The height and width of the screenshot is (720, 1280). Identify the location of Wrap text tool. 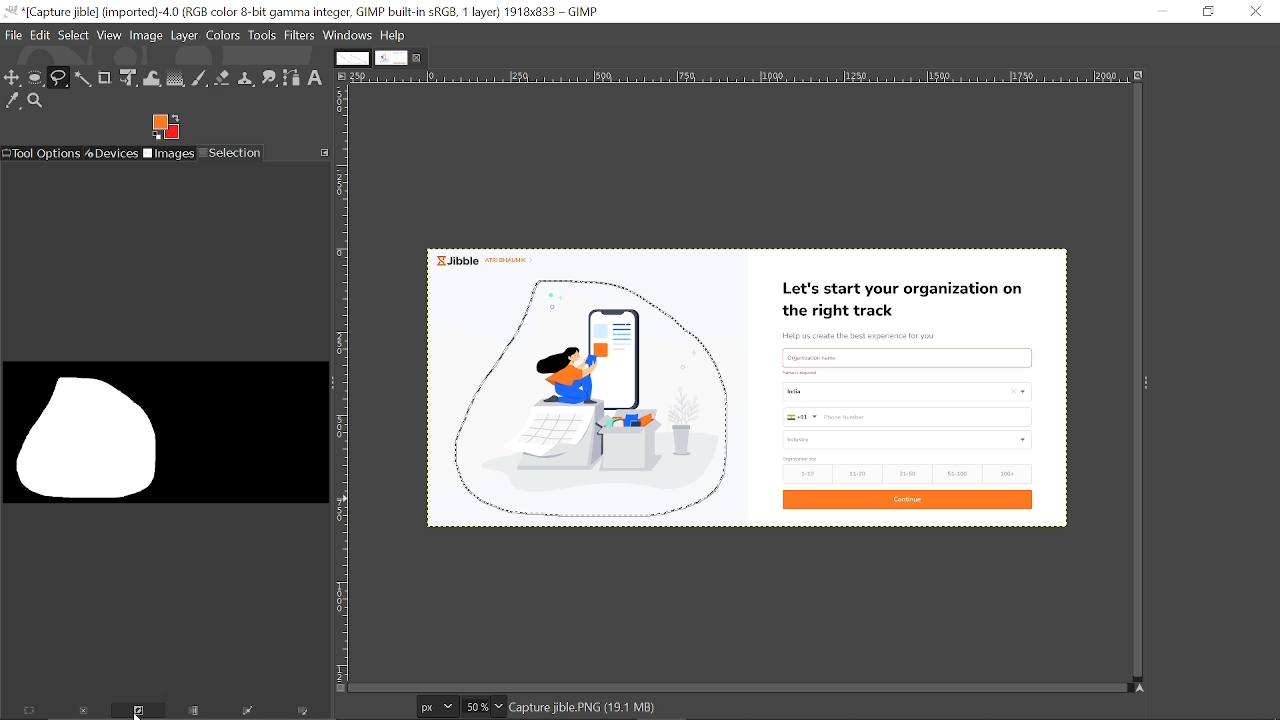
(153, 78).